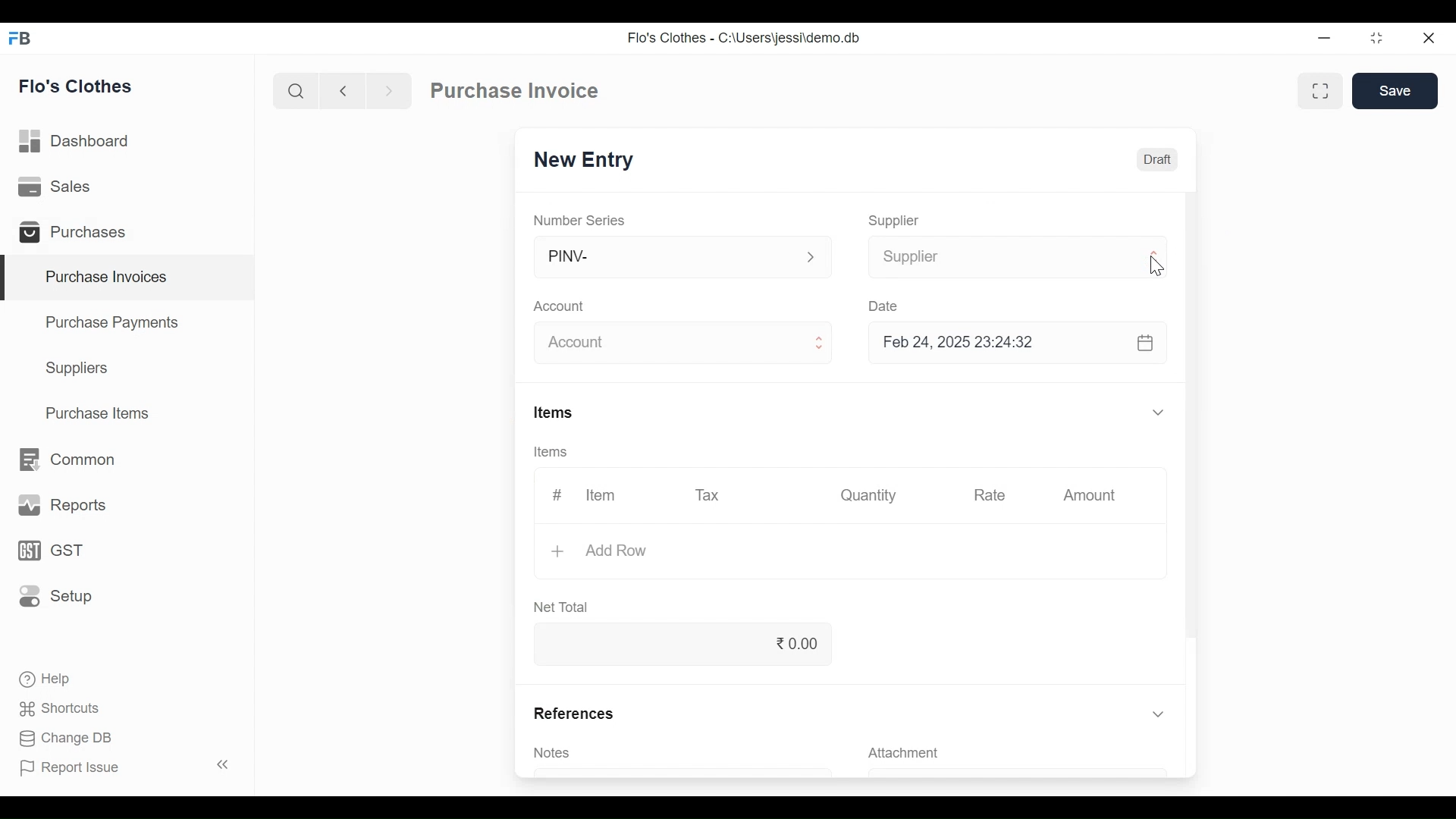  Describe the element at coordinates (601, 494) in the screenshot. I see `Item` at that location.